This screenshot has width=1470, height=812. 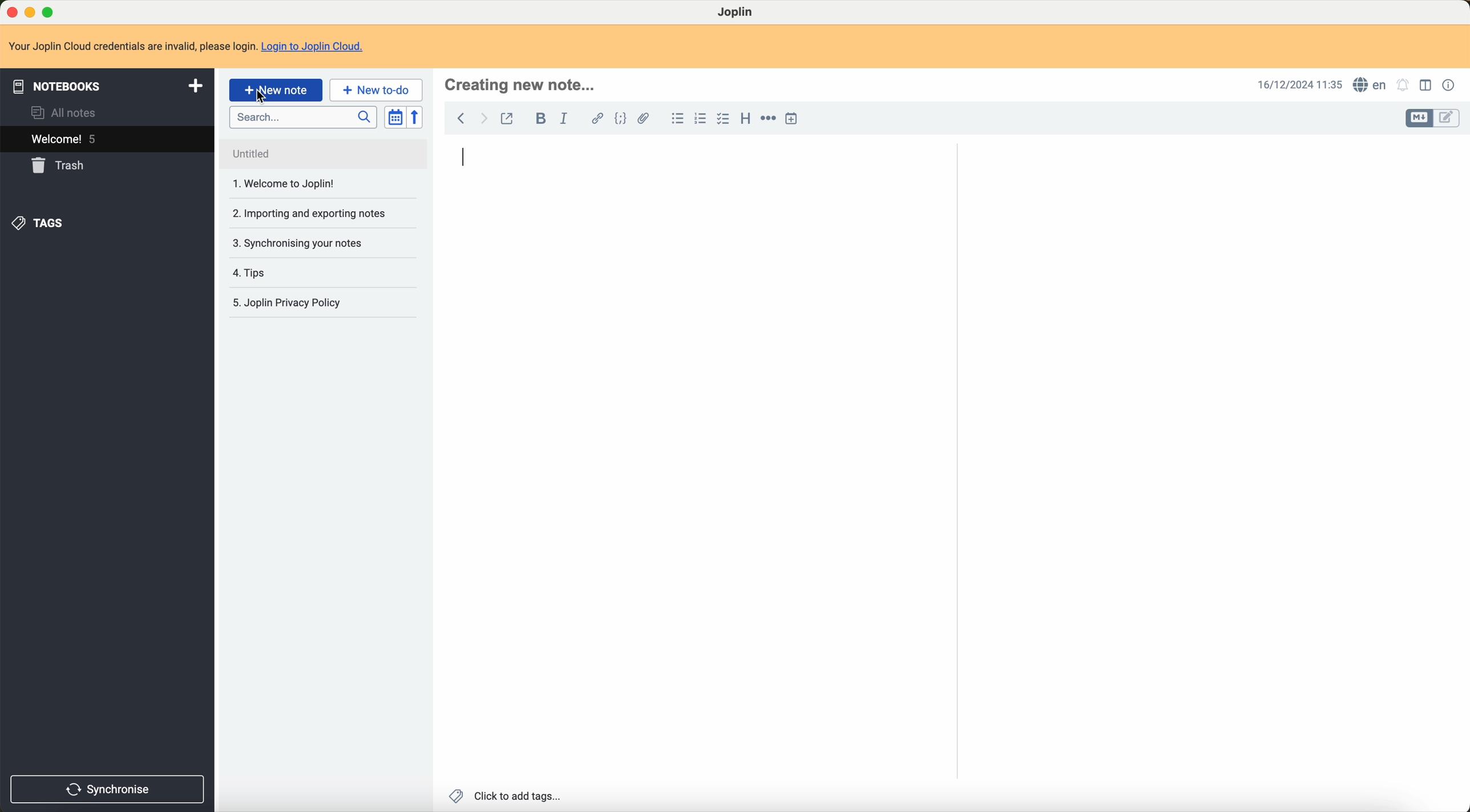 I want to click on Cursor, so click(x=262, y=99).